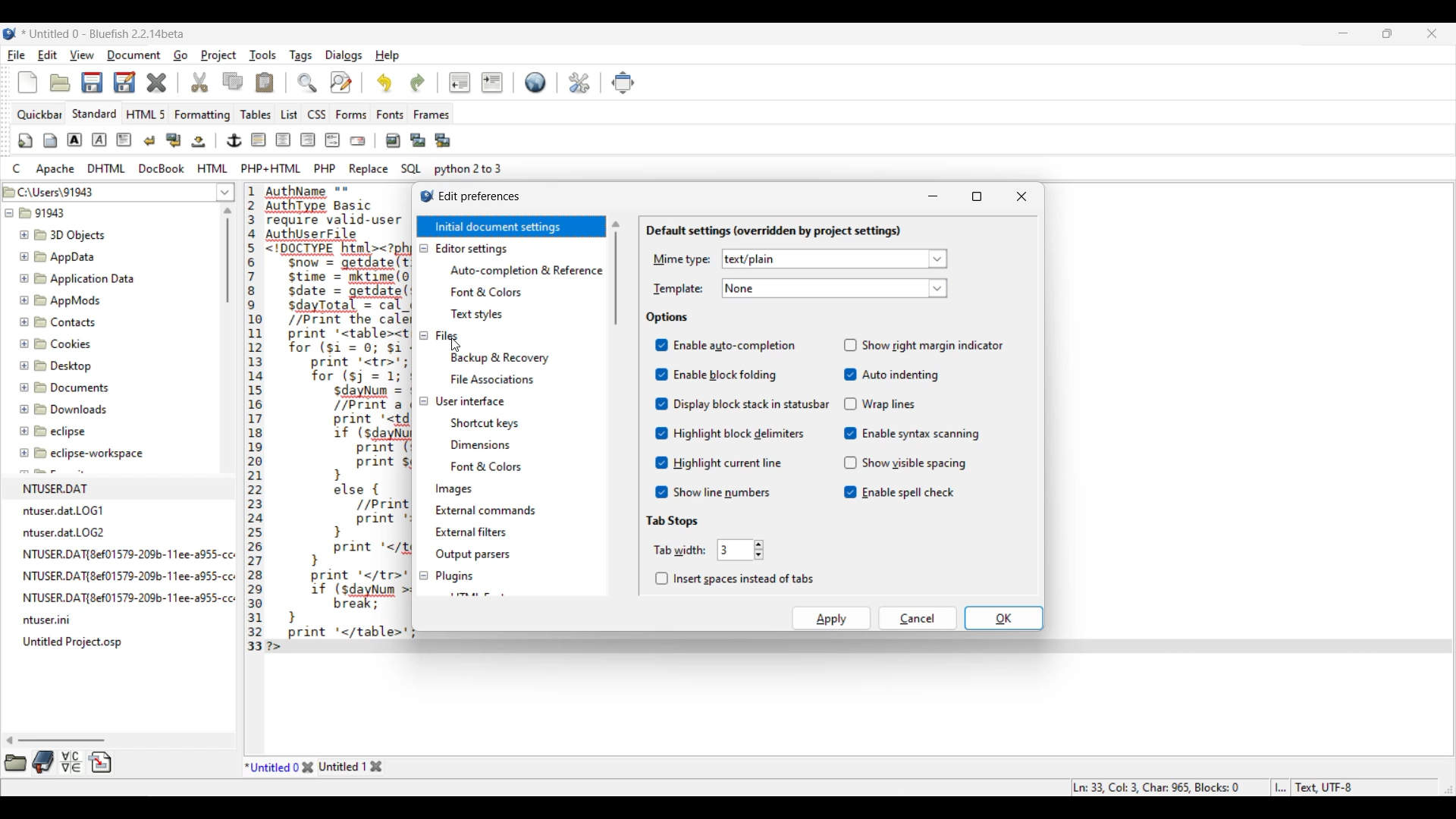 Image resolution: width=1456 pixels, height=819 pixels. Describe the element at coordinates (672, 521) in the screenshot. I see `Section title` at that location.